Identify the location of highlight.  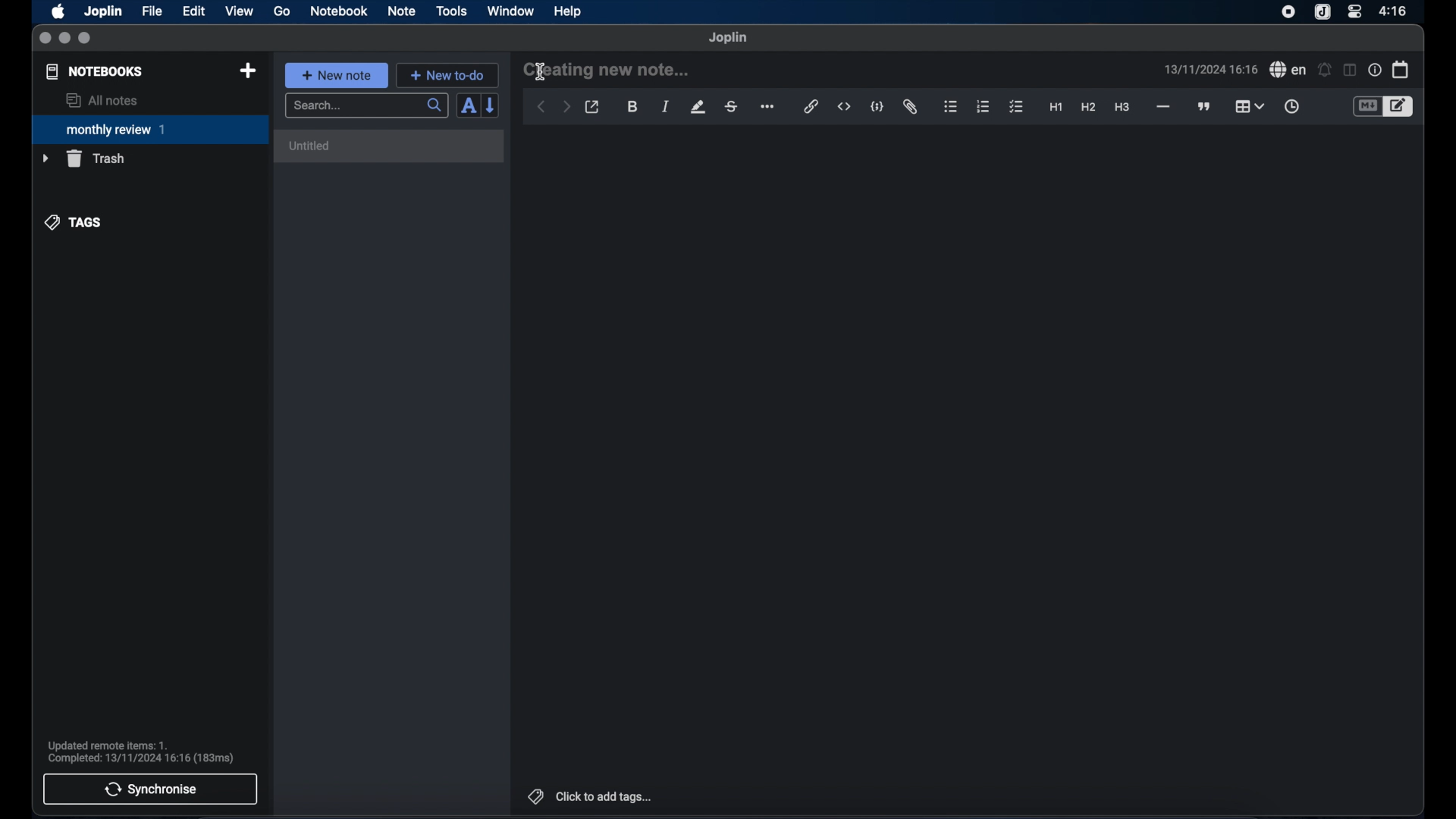
(698, 107).